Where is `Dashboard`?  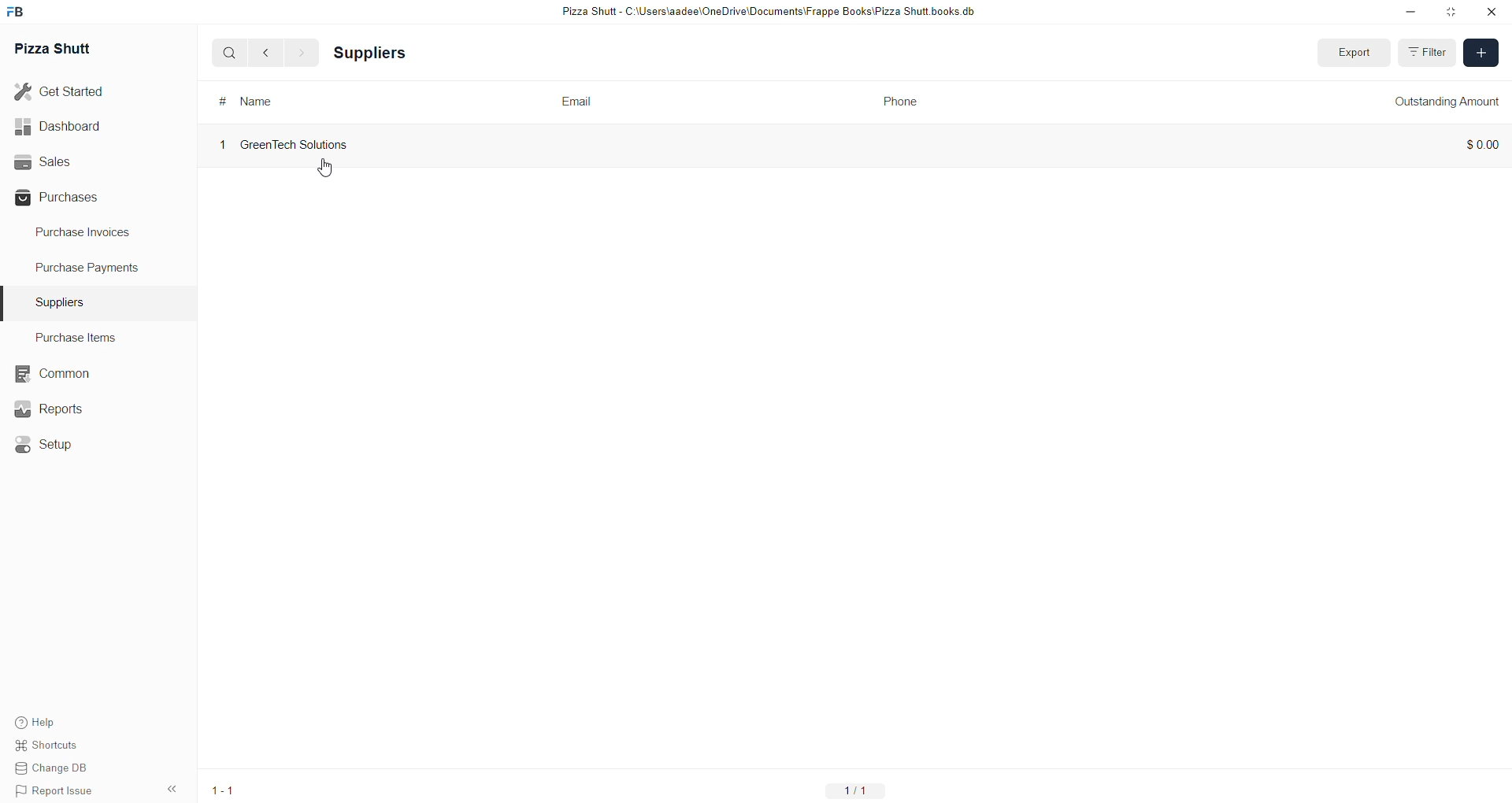
Dashboard is located at coordinates (76, 127).